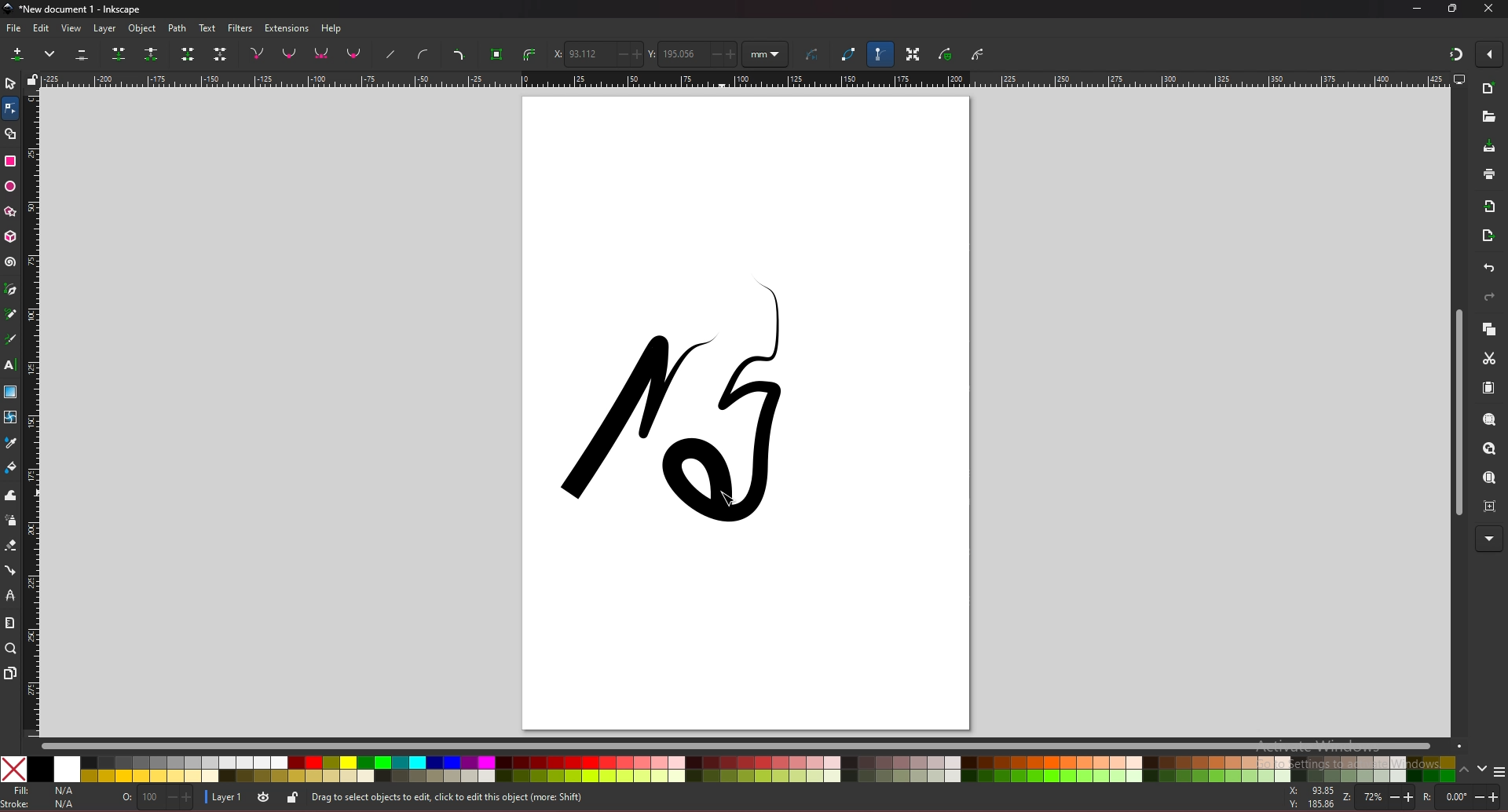 The width and height of the screenshot is (1508, 812). What do you see at coordinates (10, 364) in the screenshot?
I see `text` at bounding box center [10, 364].